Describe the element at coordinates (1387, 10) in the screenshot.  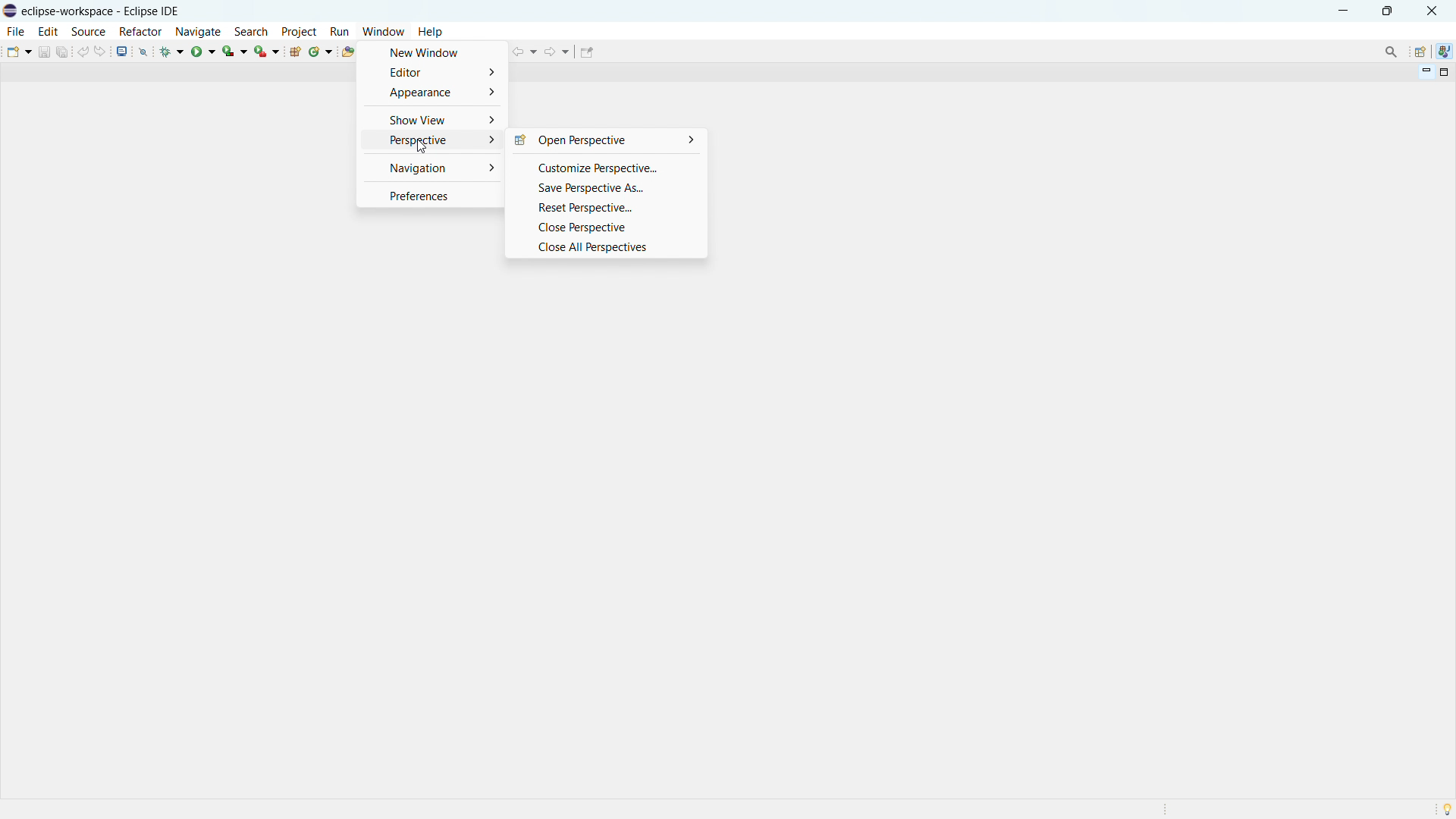
I see `maximize` at that location.